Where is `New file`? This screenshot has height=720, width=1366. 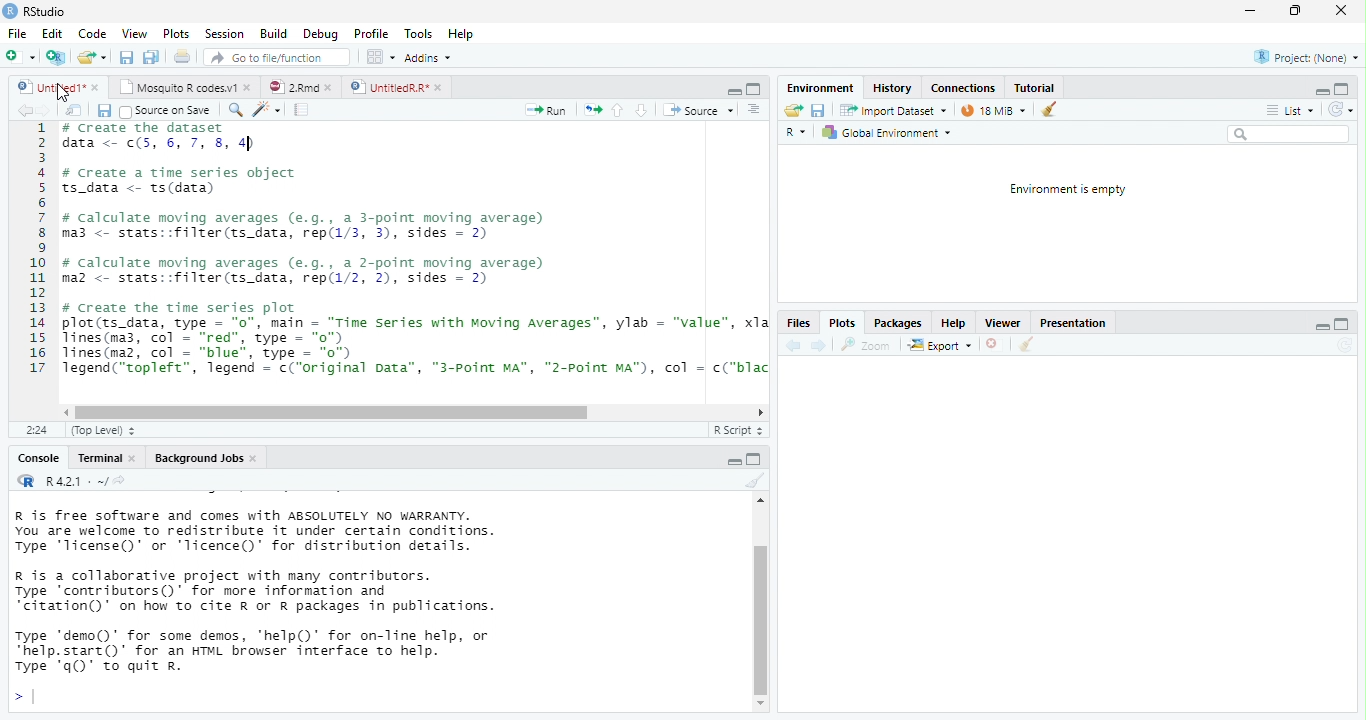
New file is located at coordinates (19, 57).